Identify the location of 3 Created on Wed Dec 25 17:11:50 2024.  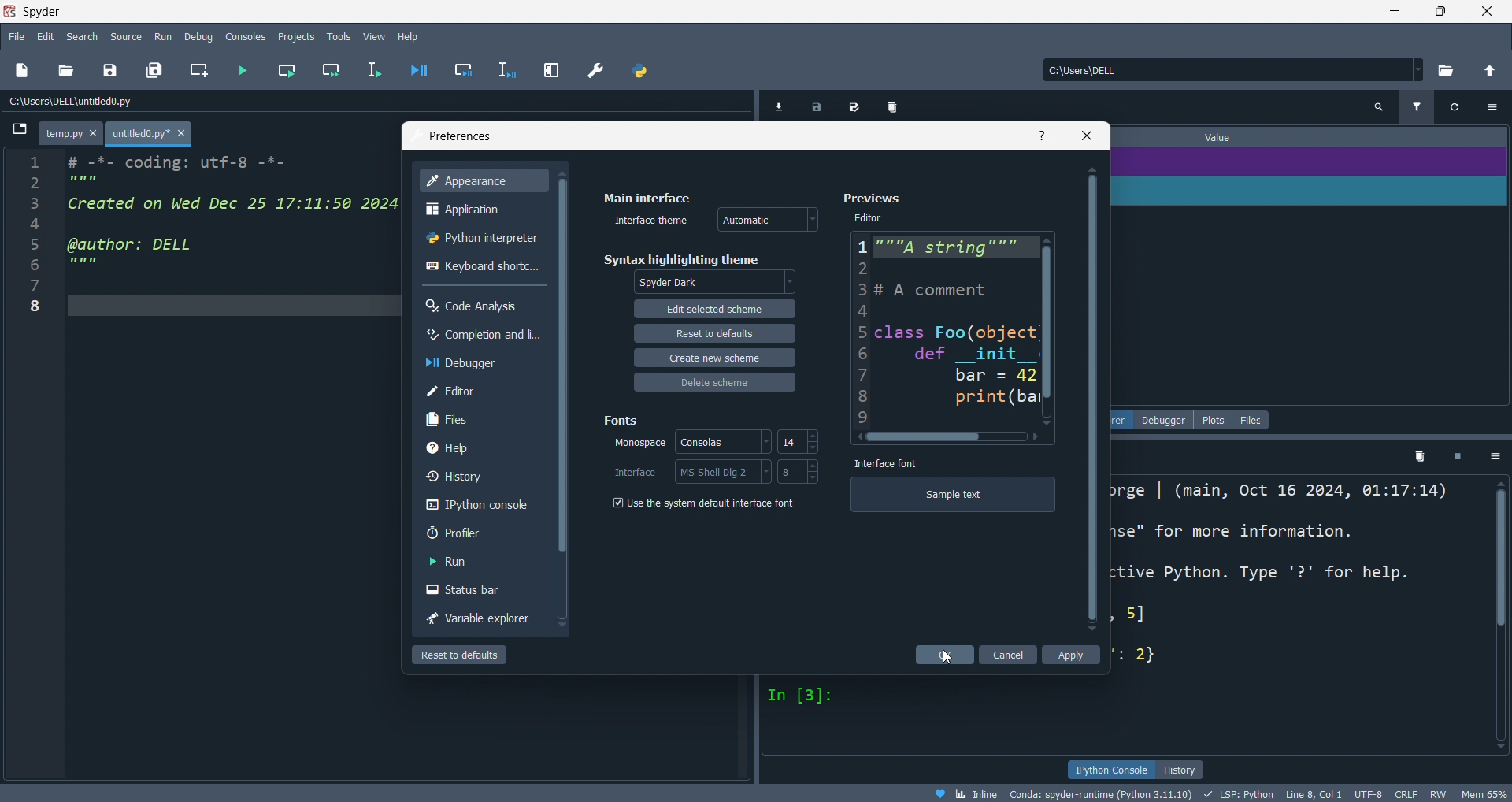
(212, 206).